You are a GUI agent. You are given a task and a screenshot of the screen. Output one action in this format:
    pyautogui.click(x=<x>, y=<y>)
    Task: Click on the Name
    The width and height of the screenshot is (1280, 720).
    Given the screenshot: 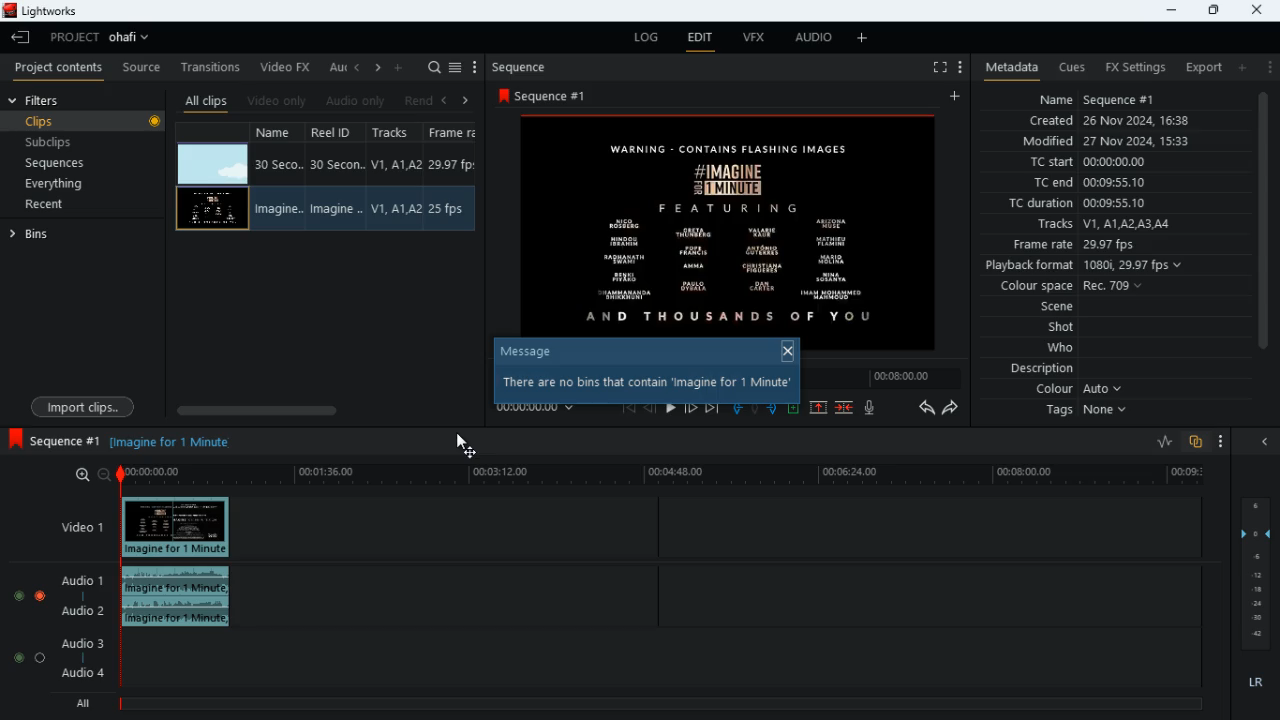 What is the action you would take?
    pyautogui.click(x=276, y=210)
    